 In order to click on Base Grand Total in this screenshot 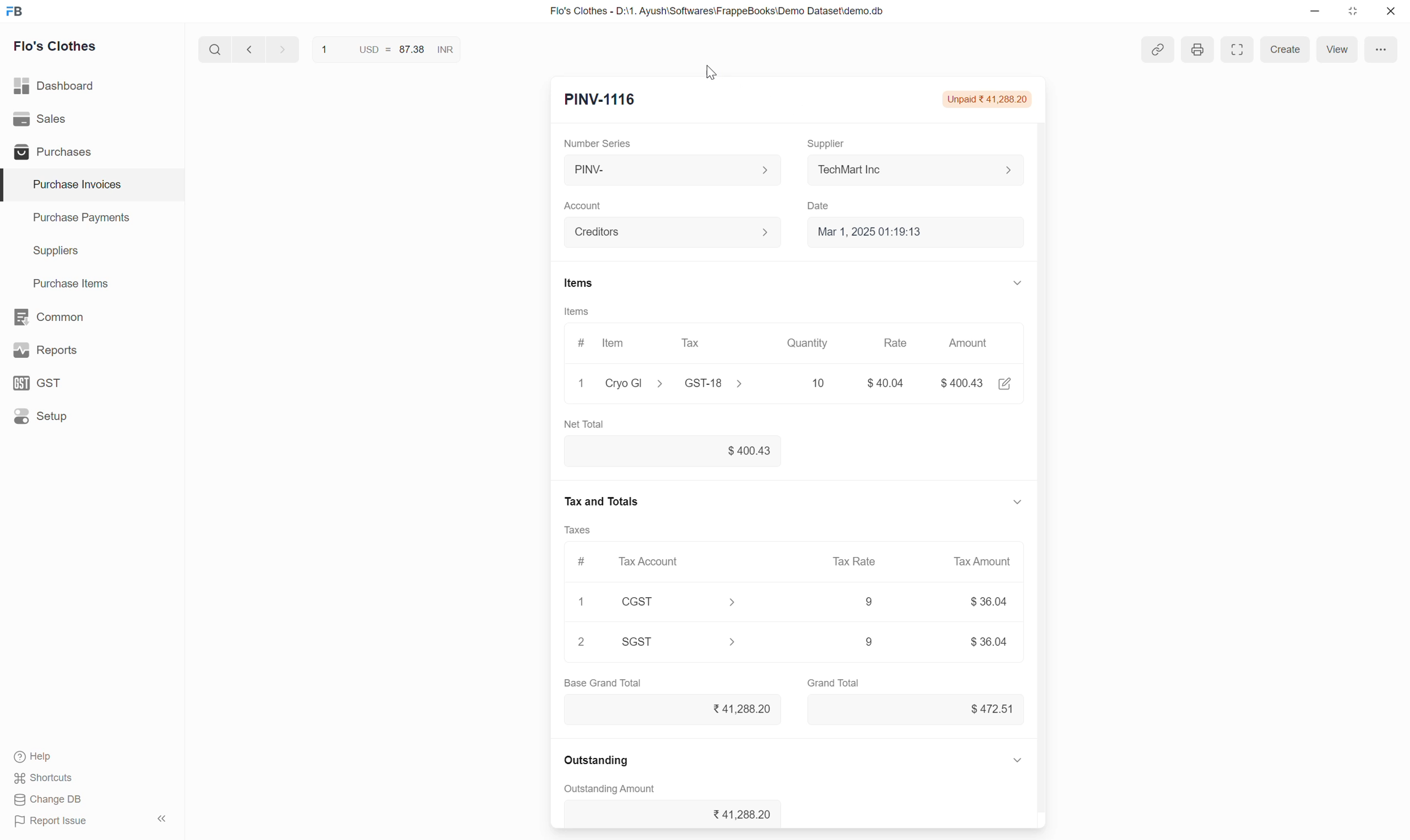, I will do `click(611, 684)`.